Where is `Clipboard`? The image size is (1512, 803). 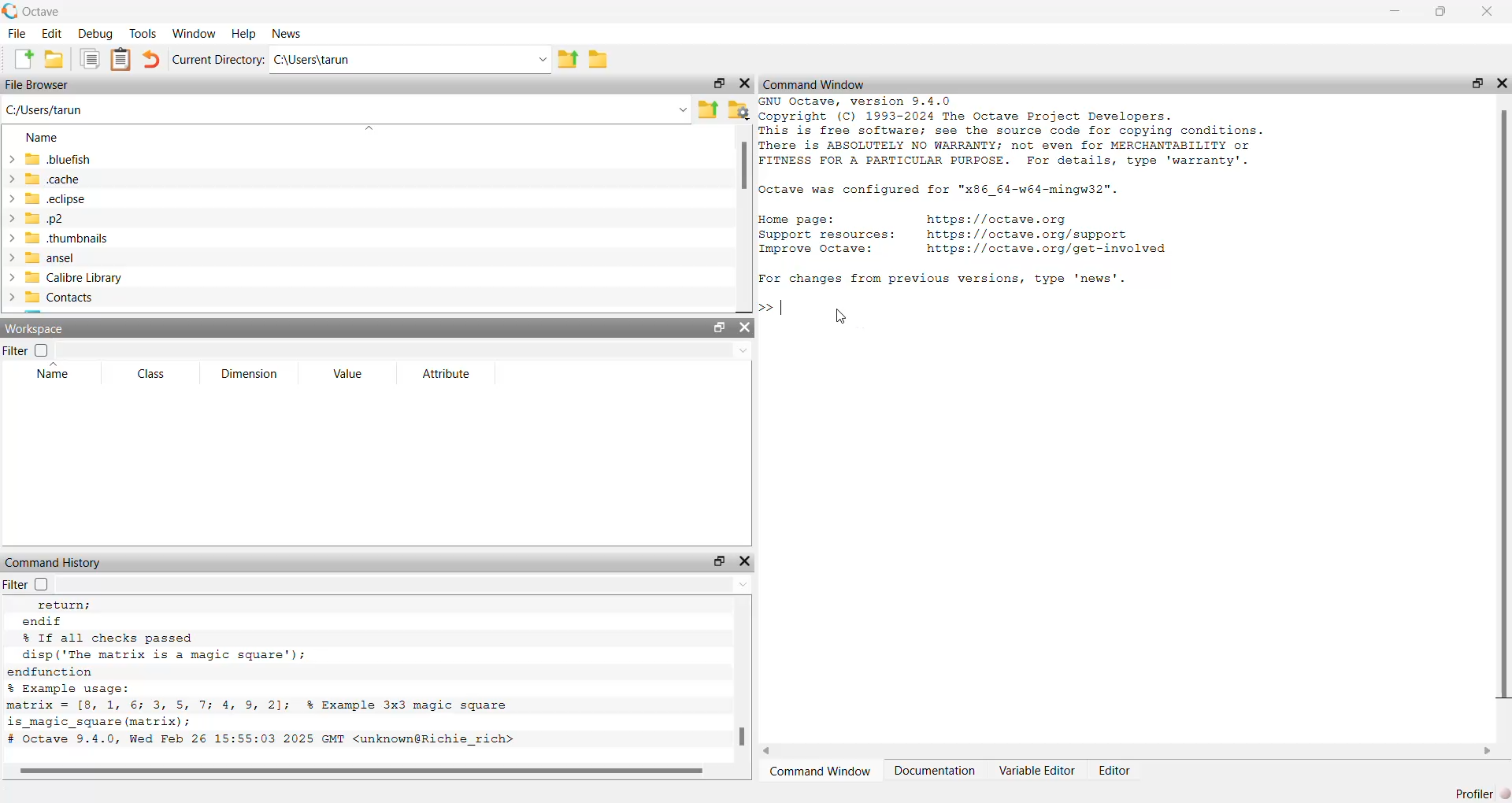 Clipboard is located at coordinates (120, 60).